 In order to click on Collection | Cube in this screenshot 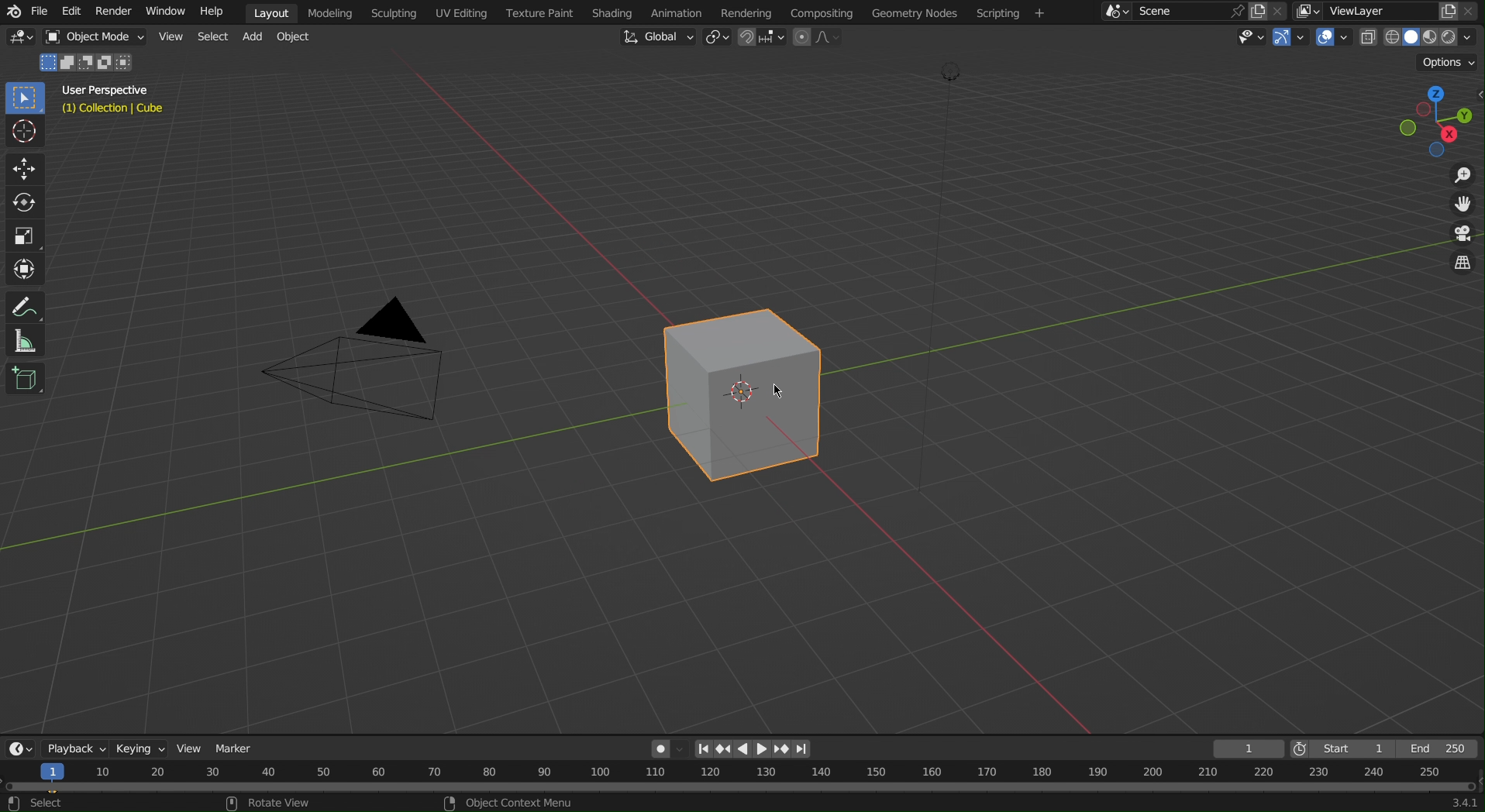, I will do `click(109, 112)`.